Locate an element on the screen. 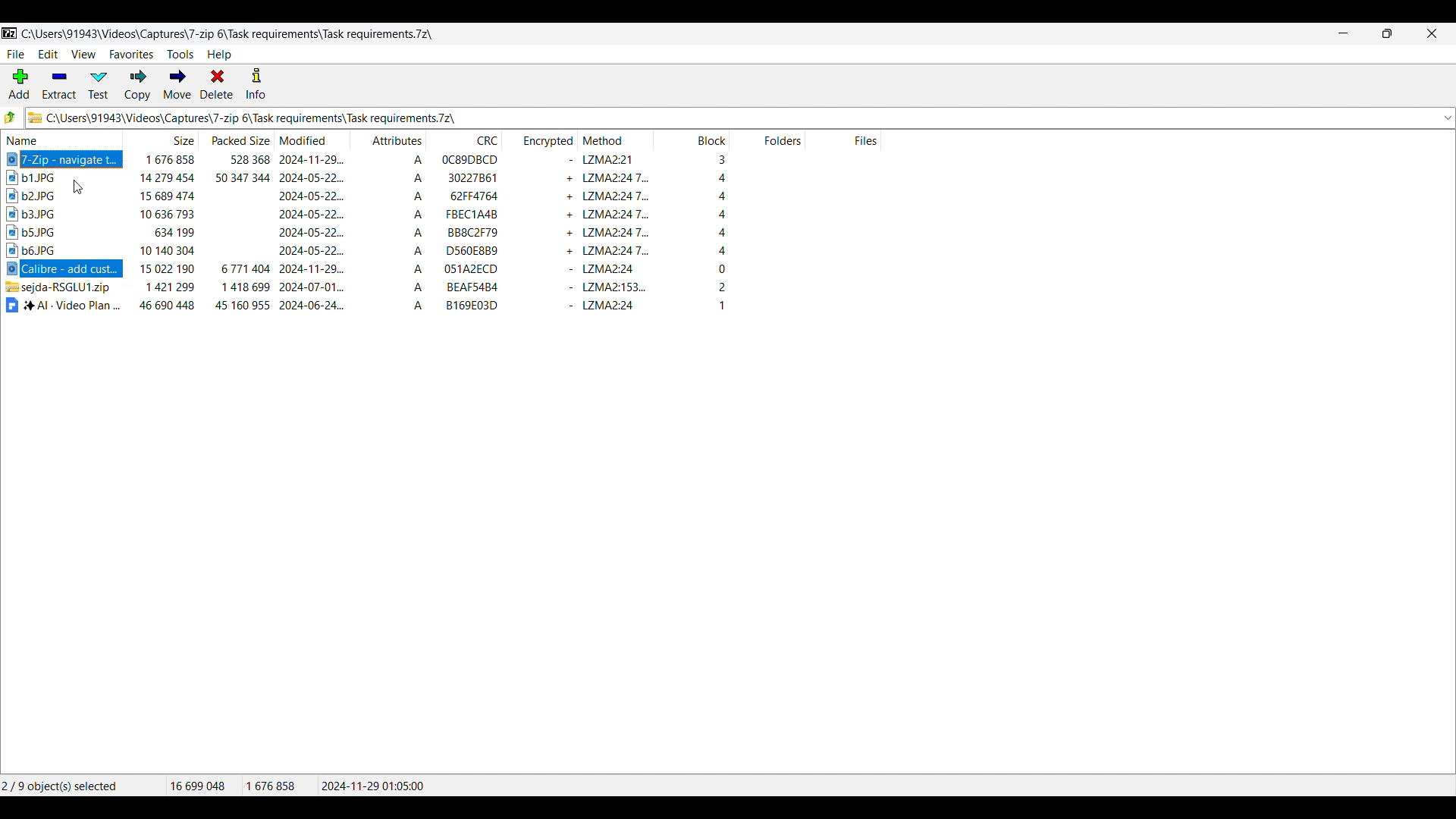 This screenshot has width=1456, height=819. Show interface in a smaller tab is located at coordinates (1388, 33).